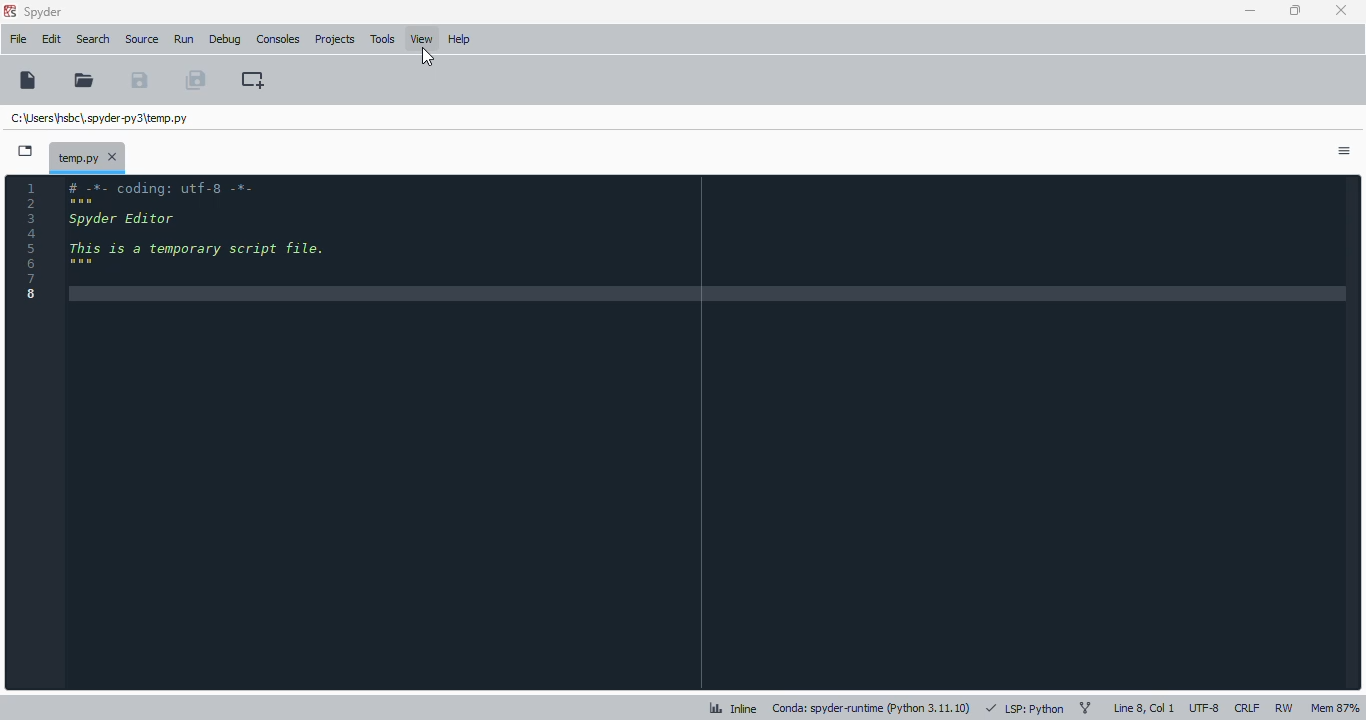  What do you see at coordinates (335, 39) in the screenshot?
I see `projects` at bounding box center [335, 39].